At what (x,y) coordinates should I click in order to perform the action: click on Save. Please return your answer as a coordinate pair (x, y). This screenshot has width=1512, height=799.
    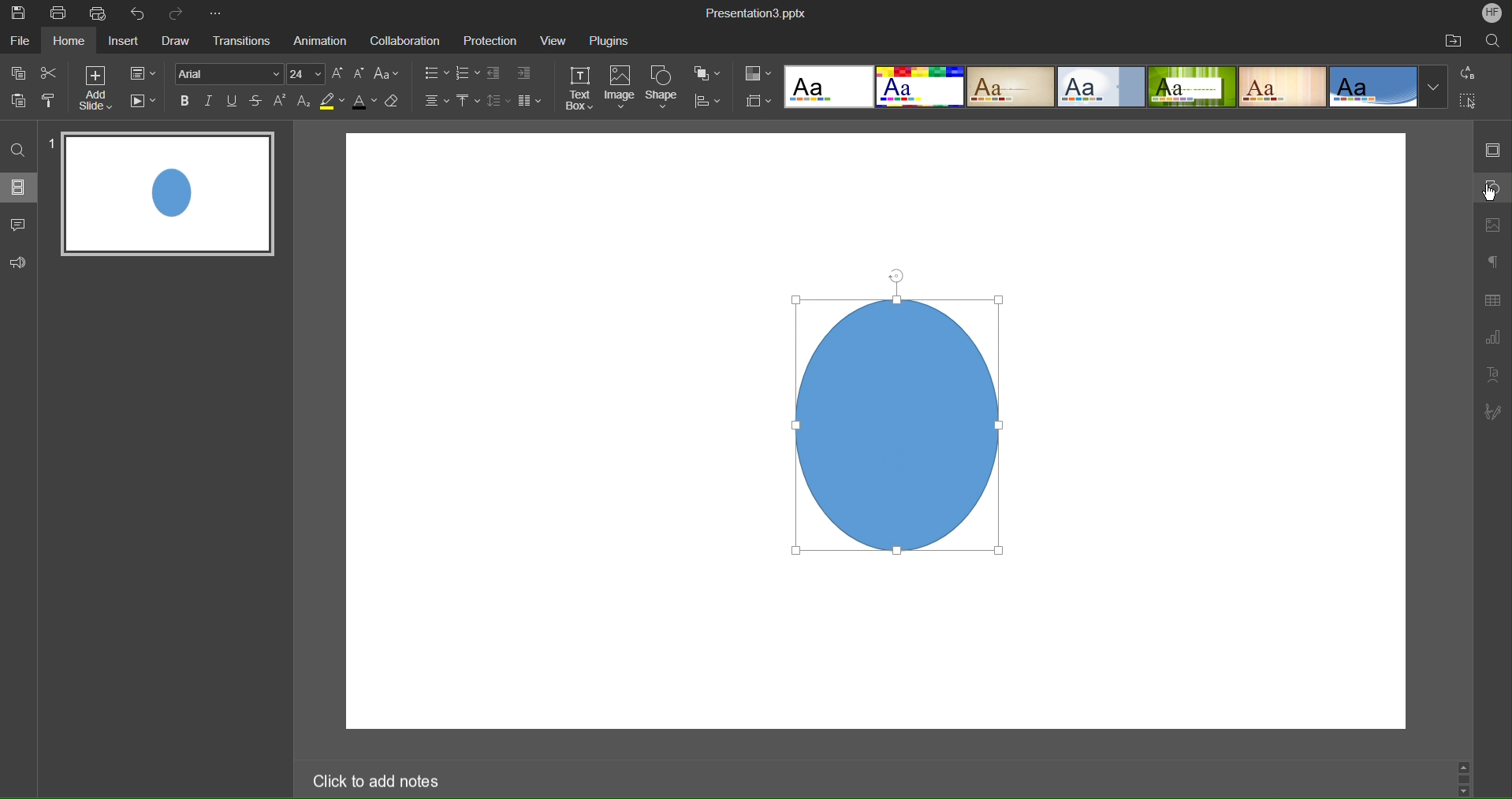
    Looking at the image, I should click on (20, 15).